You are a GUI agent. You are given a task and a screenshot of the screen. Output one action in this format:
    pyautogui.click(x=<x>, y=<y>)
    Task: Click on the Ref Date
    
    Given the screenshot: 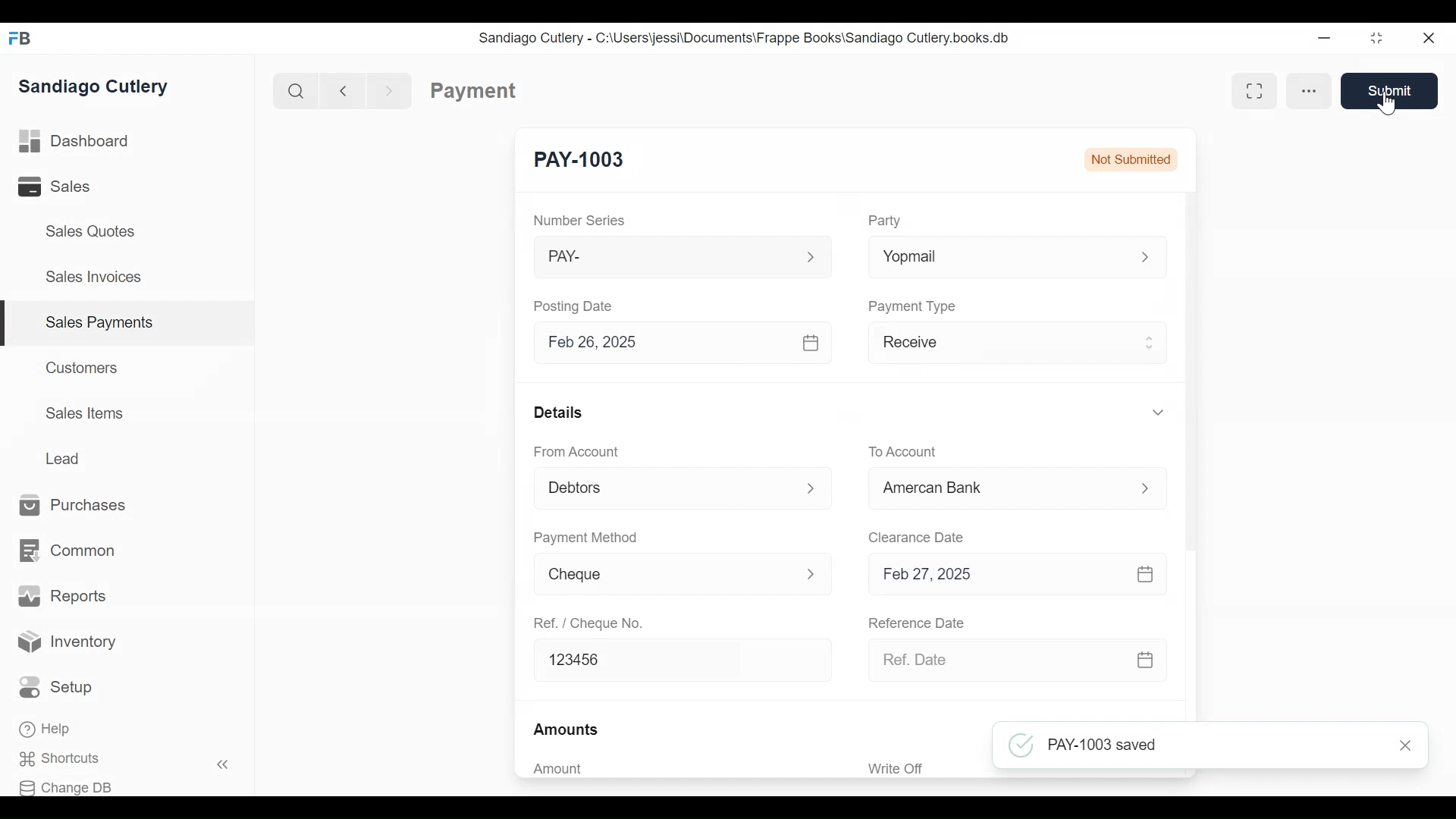 What is the action you would take?
    pyautogui.click(x=996, y=660)
    